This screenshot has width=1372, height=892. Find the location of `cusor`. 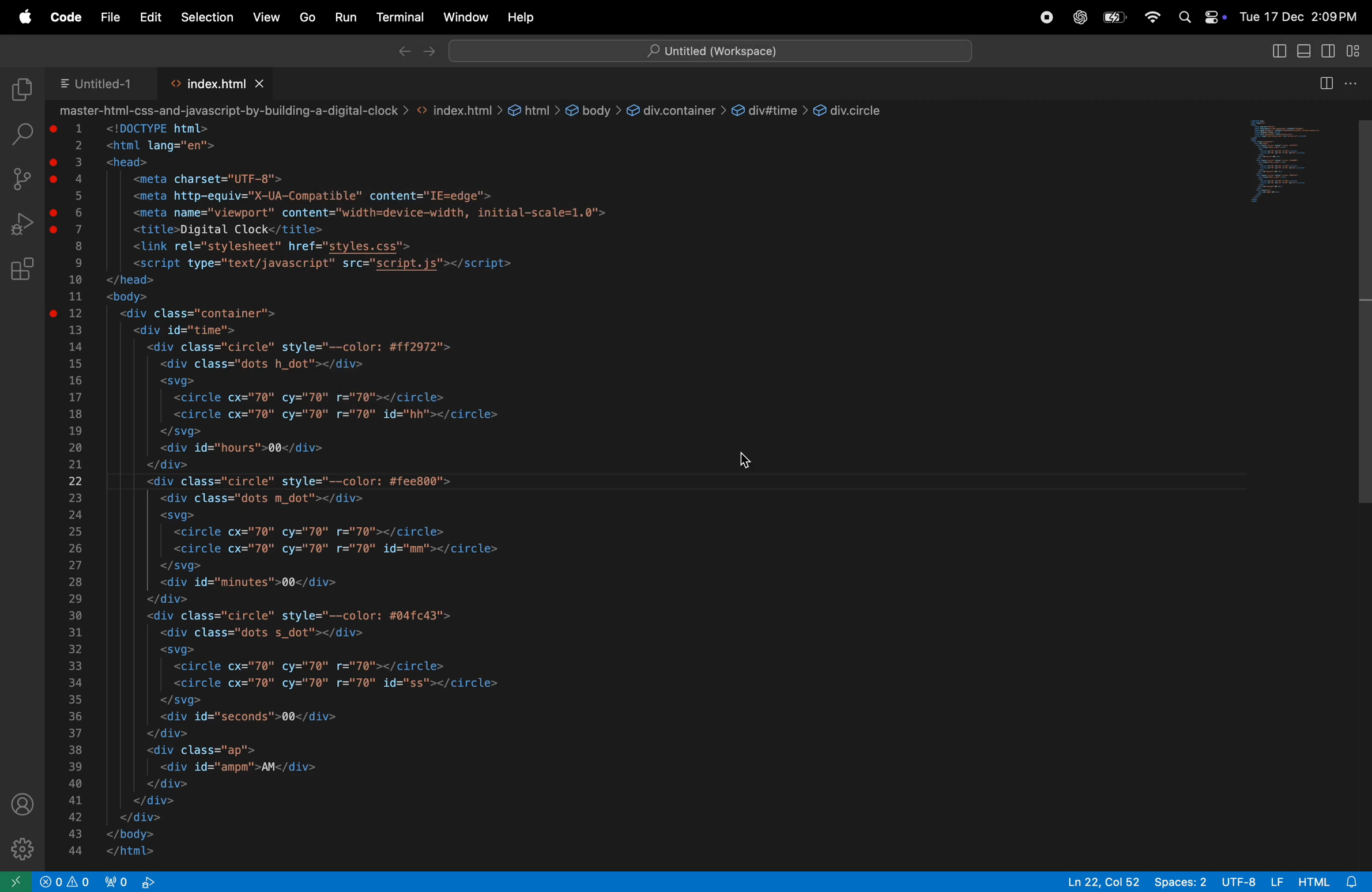

cusor is located at coordinates (749, 462).